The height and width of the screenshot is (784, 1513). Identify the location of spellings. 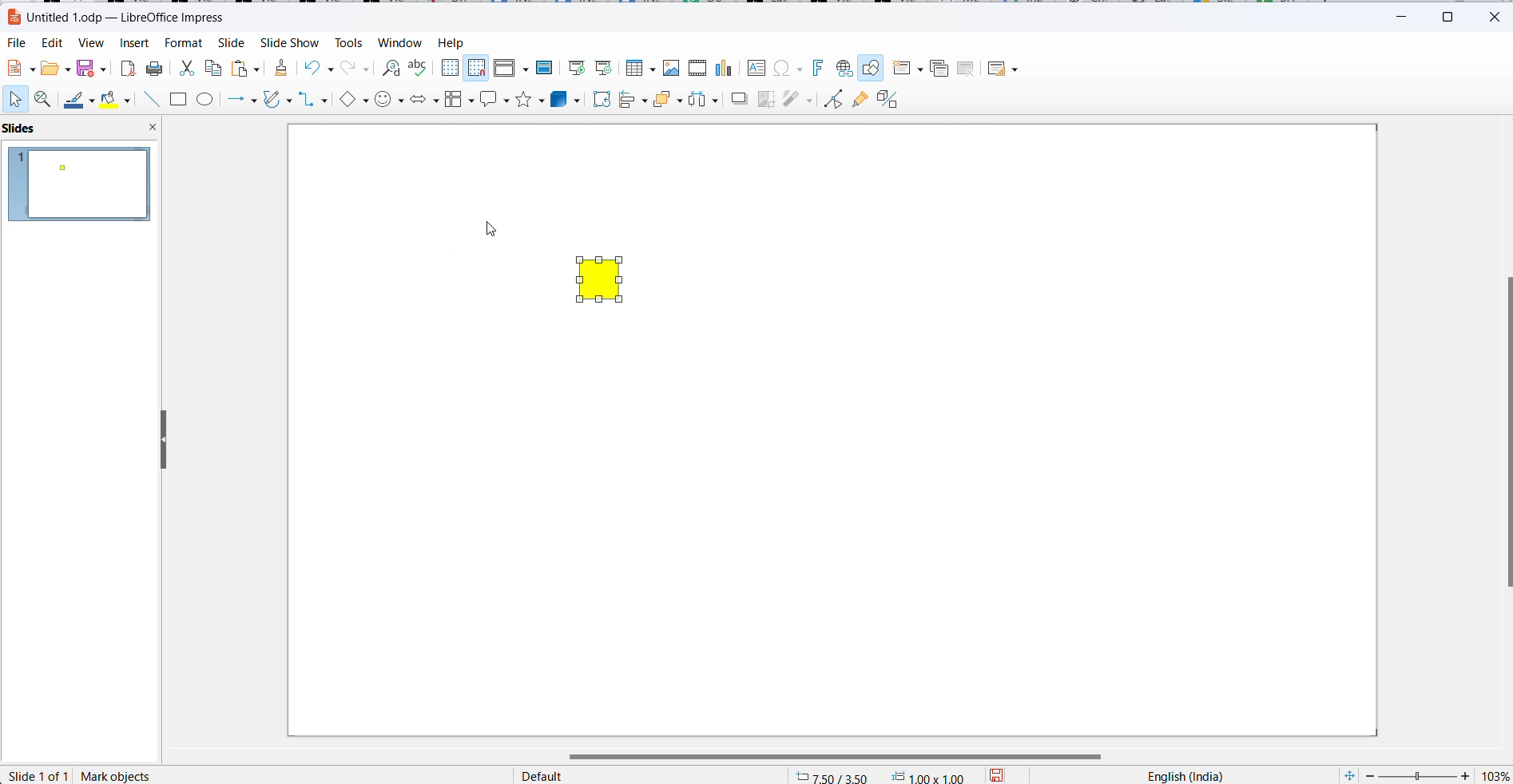
(419, 68).